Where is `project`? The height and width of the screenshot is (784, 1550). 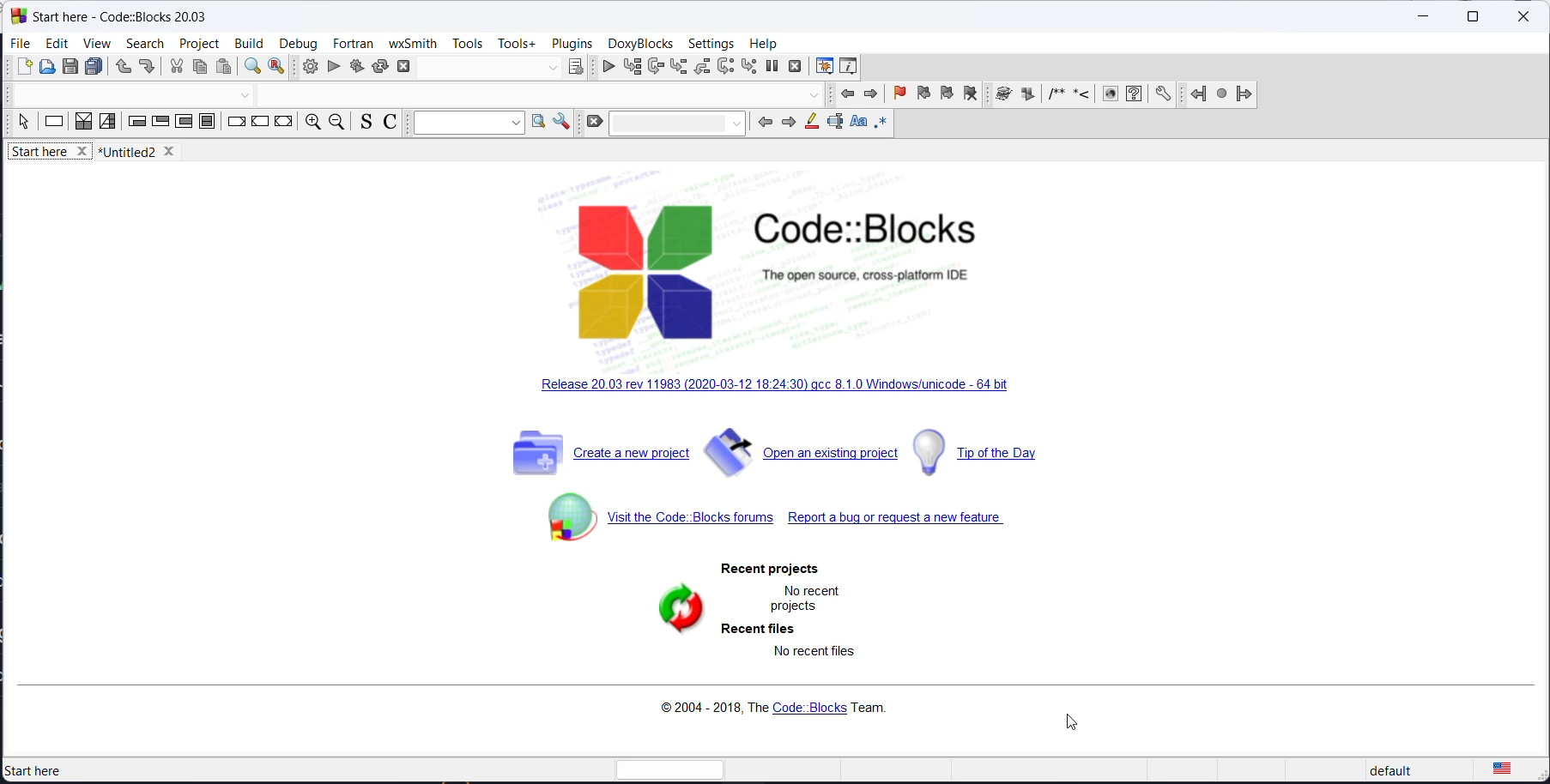 project is located at coordinates (200, 41).